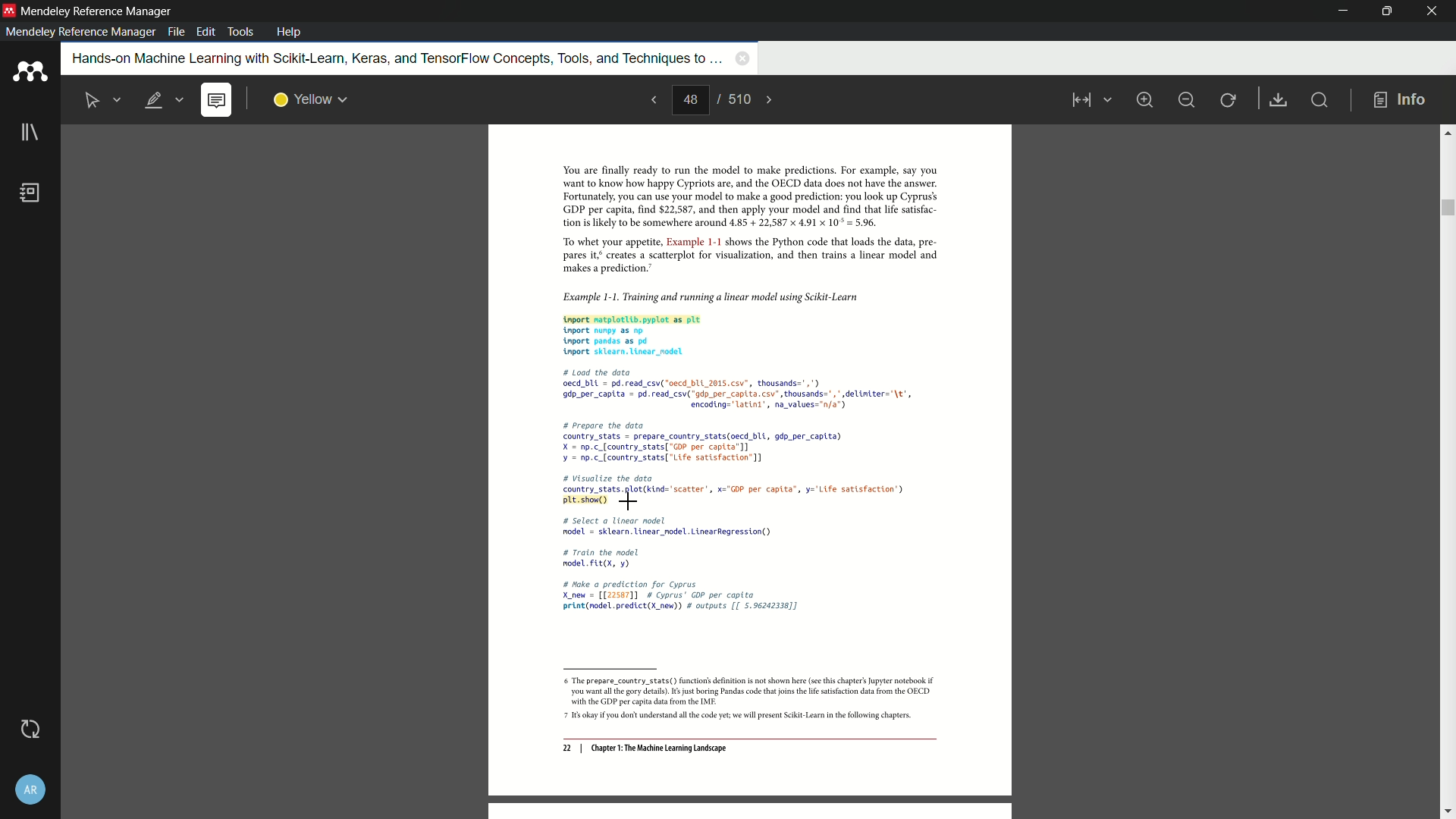  Describe the element at coordinates (1229, 101) in the screenshot. I see `rotate` at that location.